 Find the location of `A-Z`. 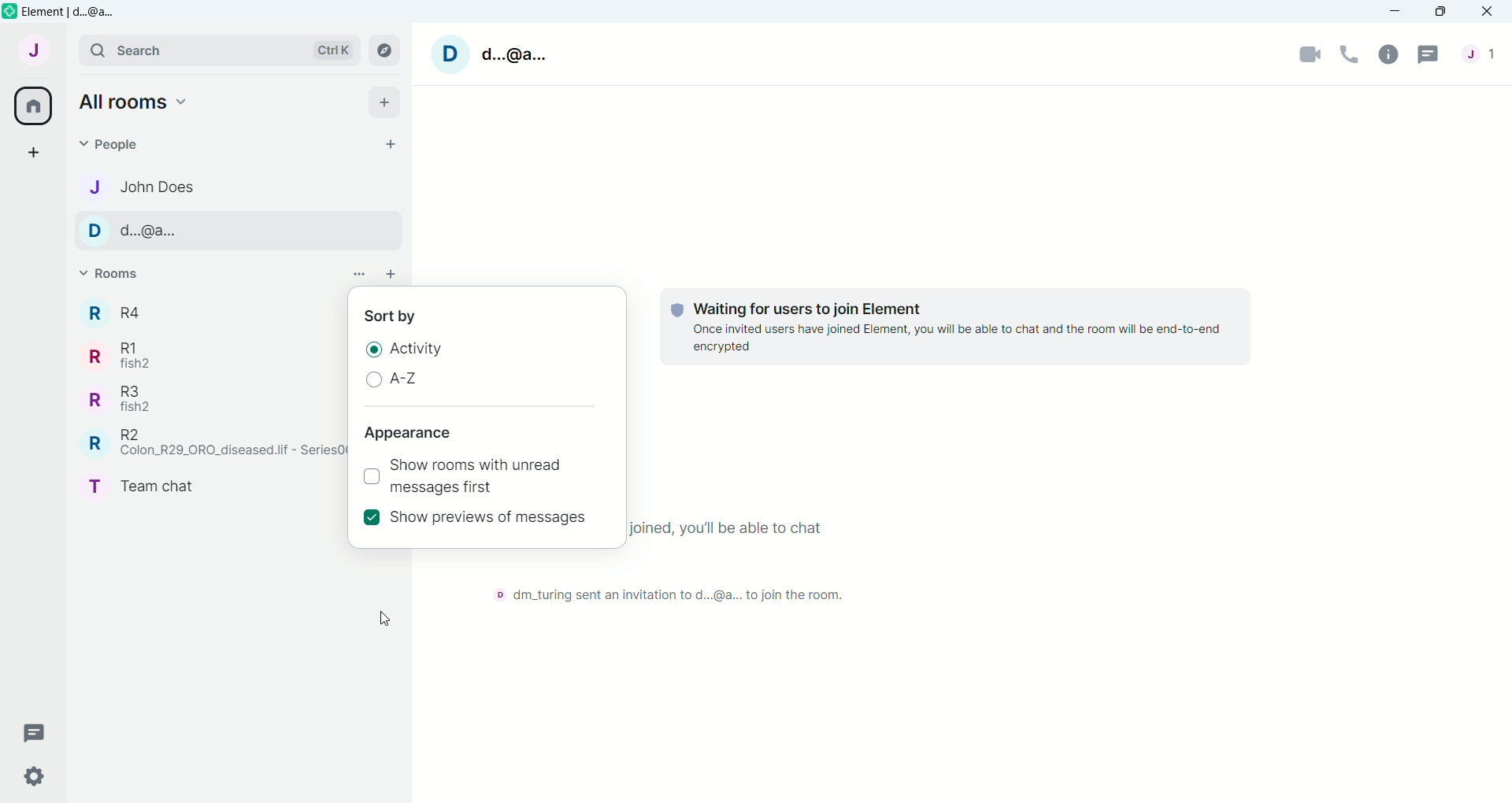

A-Z is located at coordinates (404, 379).